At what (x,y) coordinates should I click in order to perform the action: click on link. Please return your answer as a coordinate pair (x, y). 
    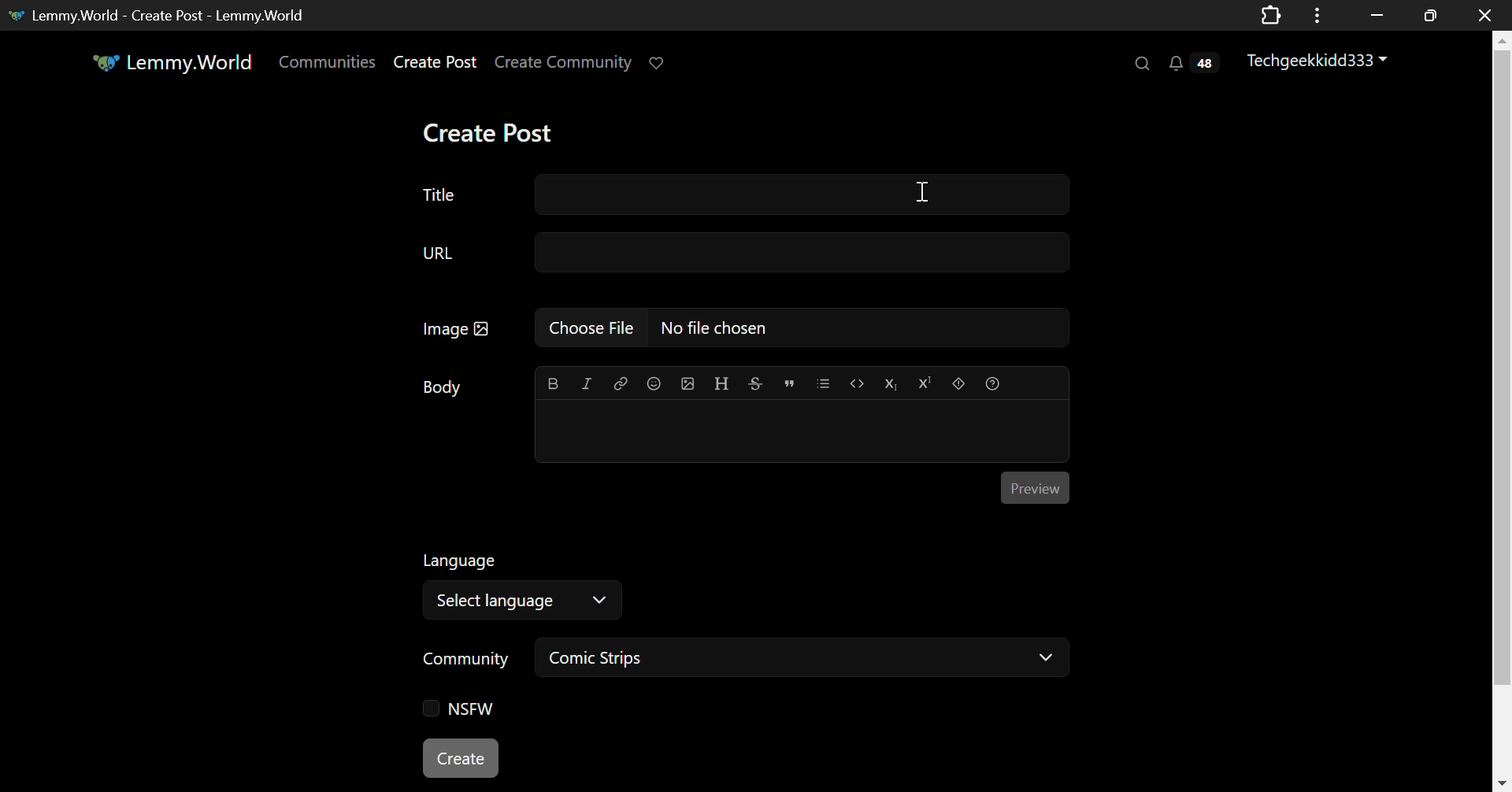
    Looking at the image, I should click on (617, 383).